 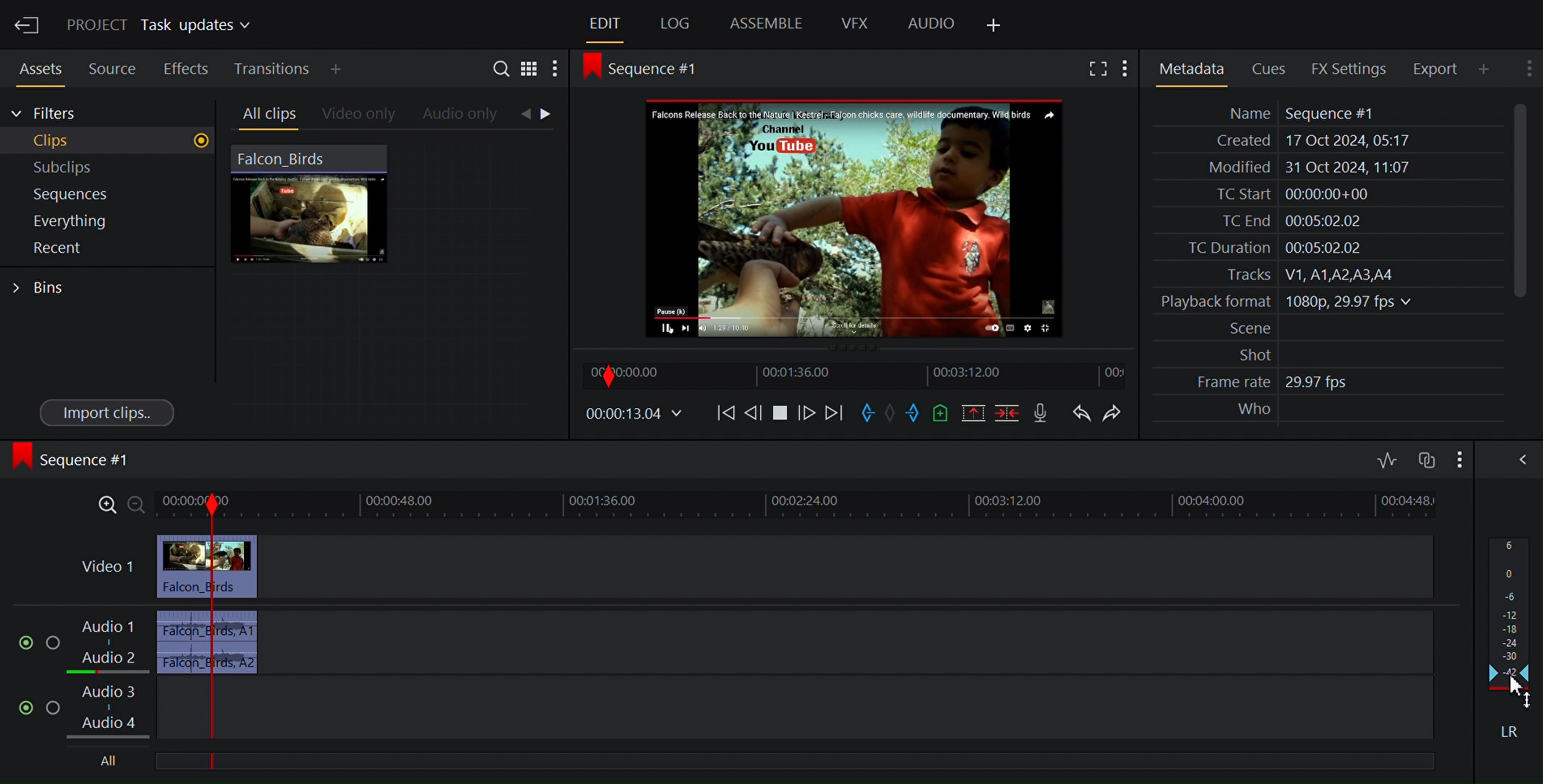 What do you see at coordinates (58, 707) in the screenshot?
I see `Solo this track` at bounding box center [58, 707].